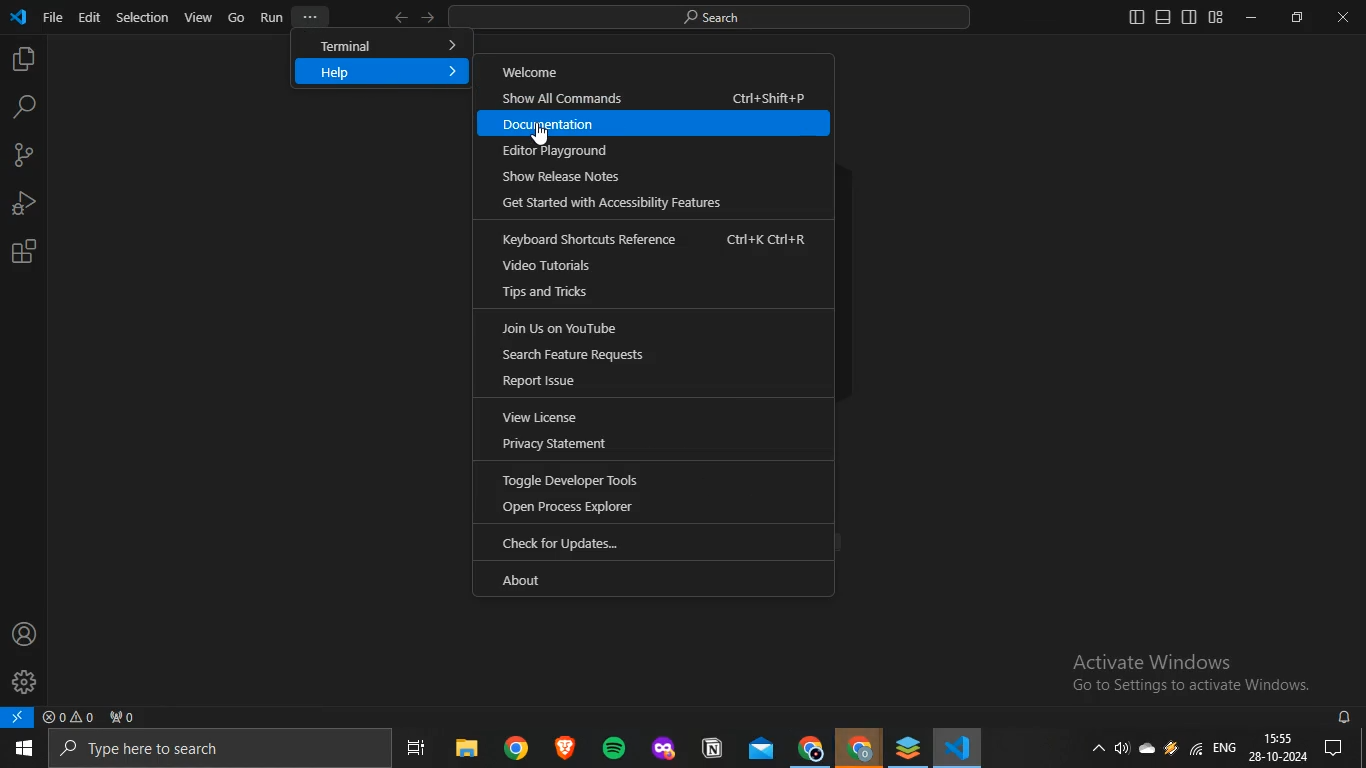 Image resolution: width=1366 pixels, height=768 pixels. What do you see at coordinates (271, 17) in the screenshot?
I see `run` at bounding box center [271, 17].